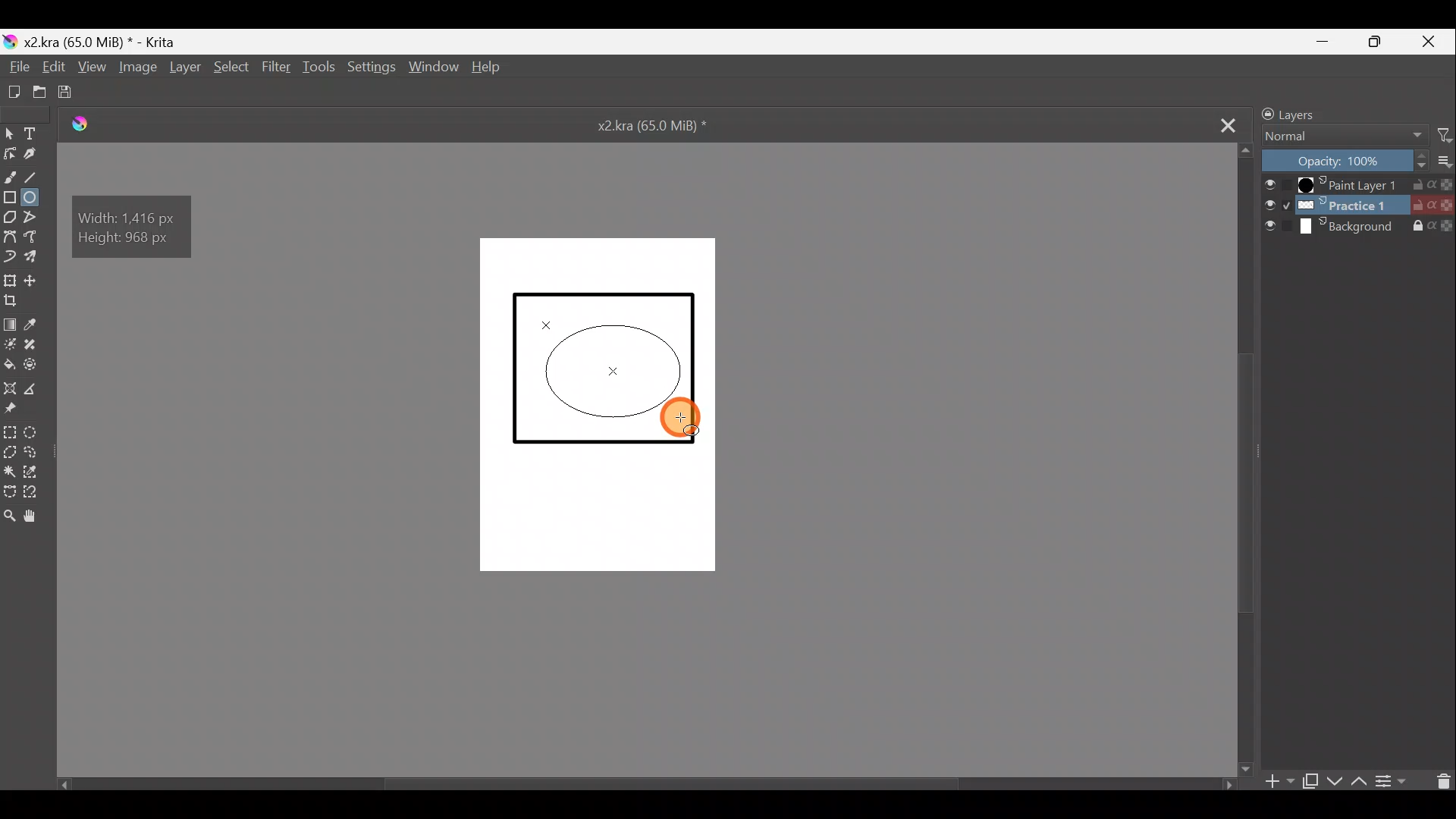  Describe the element at coordinates (90, 124) in the screenshot. I see `Logo` at that location.